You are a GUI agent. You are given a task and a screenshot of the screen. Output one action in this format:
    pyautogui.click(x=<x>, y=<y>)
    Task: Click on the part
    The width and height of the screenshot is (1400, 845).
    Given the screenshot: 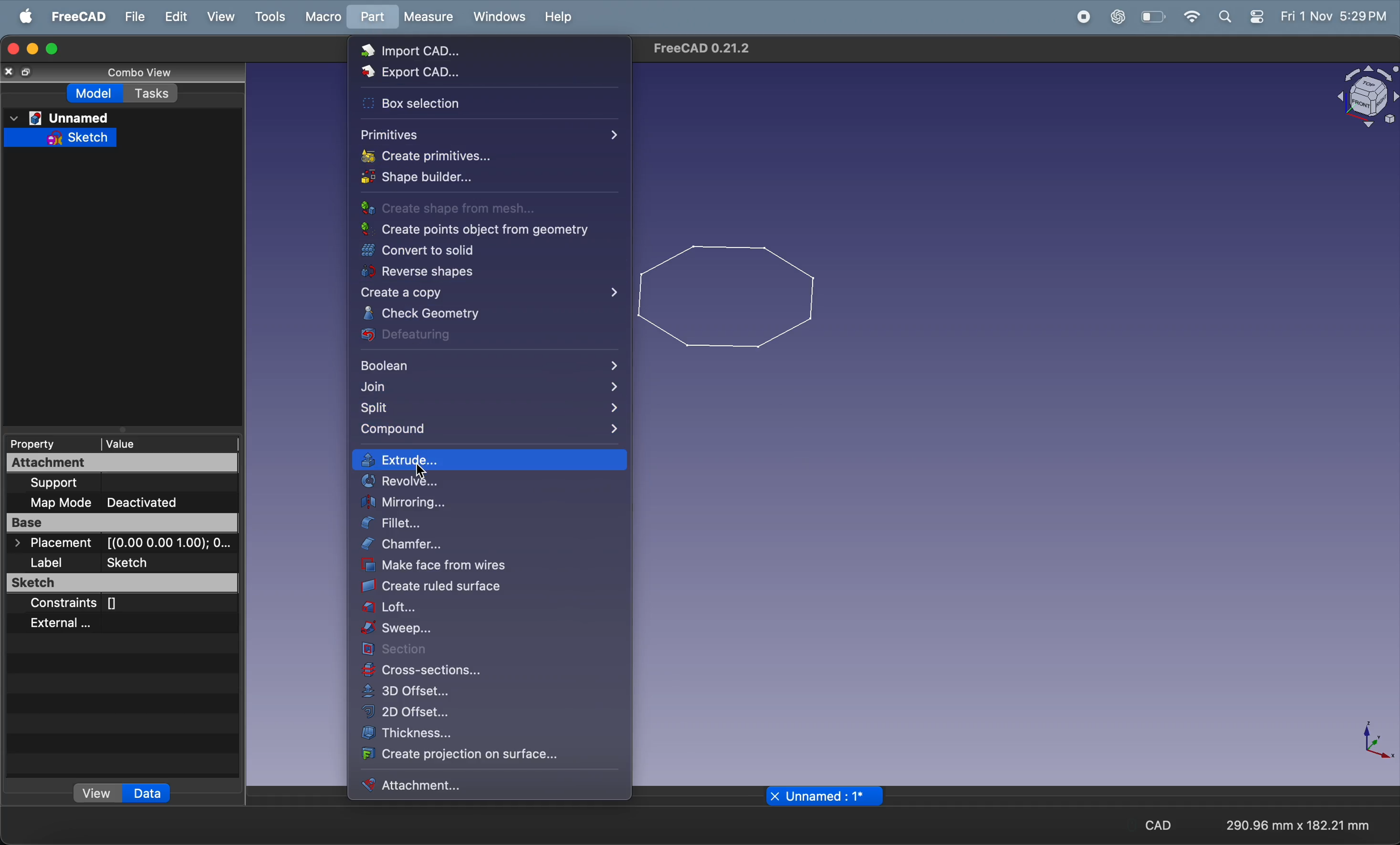 What is the action you would take?
    pyautogui.click(x=368, y=20)
    